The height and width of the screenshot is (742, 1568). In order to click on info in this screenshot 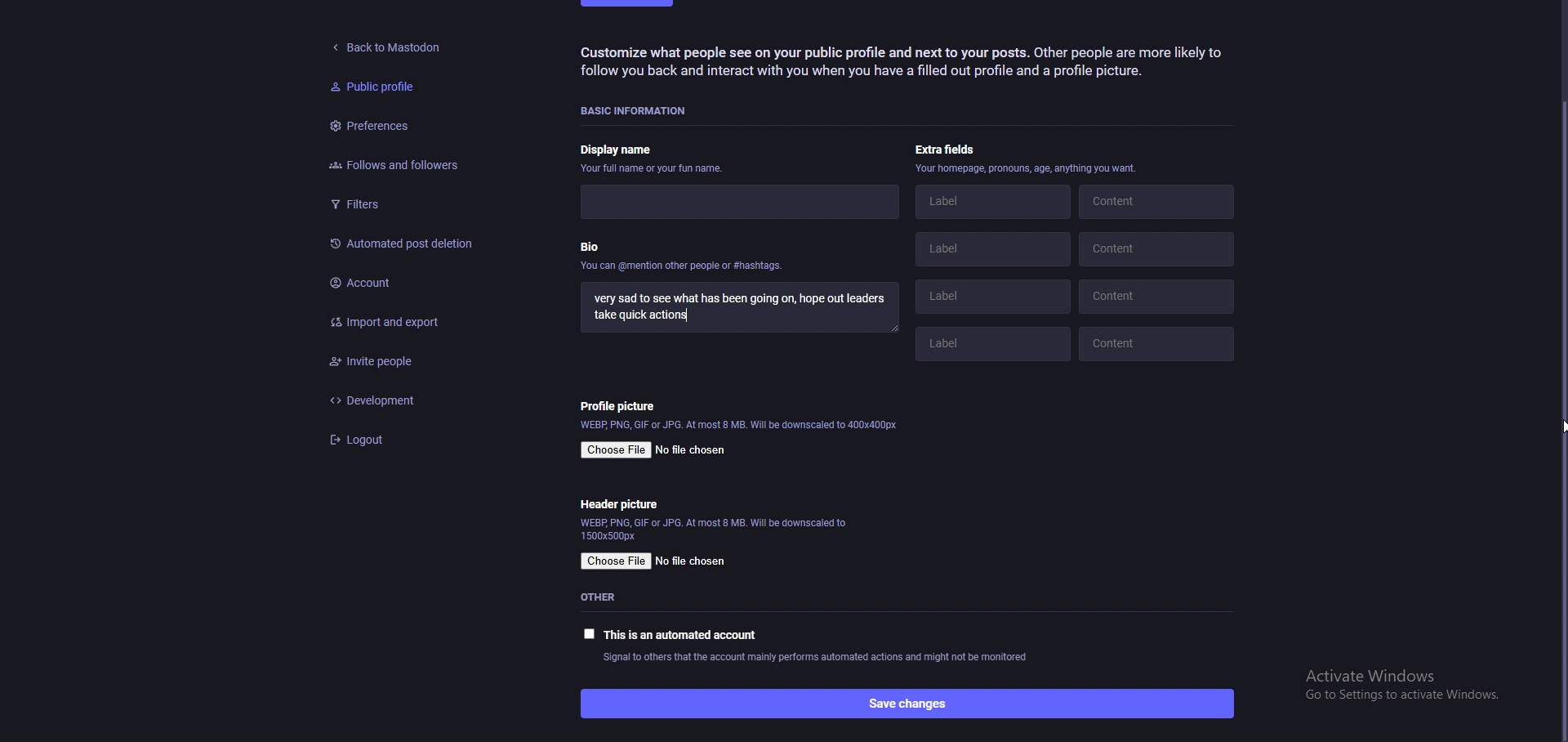, I will do `click(816, 658)`.